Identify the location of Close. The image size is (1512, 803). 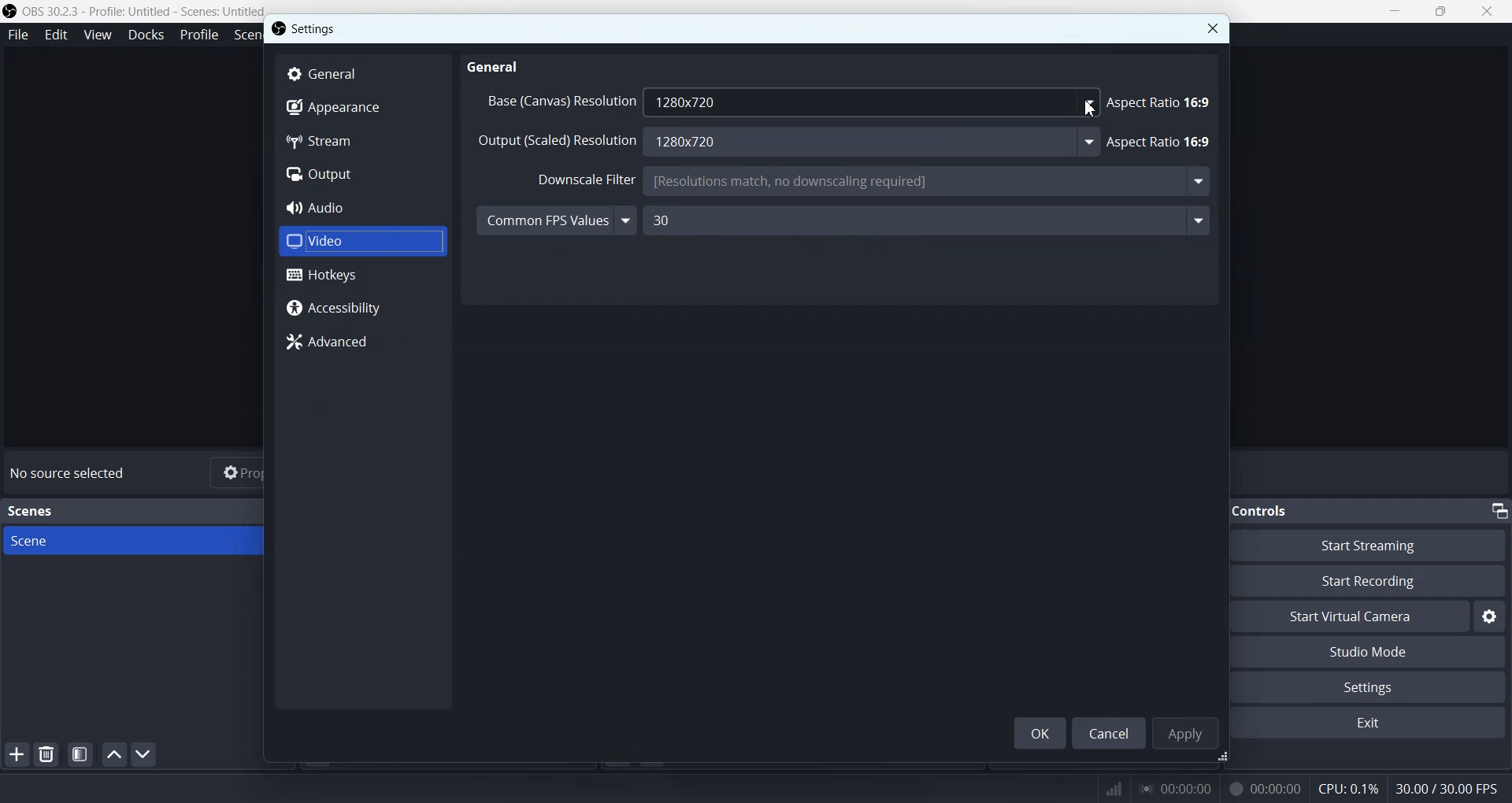
(1212, 28).